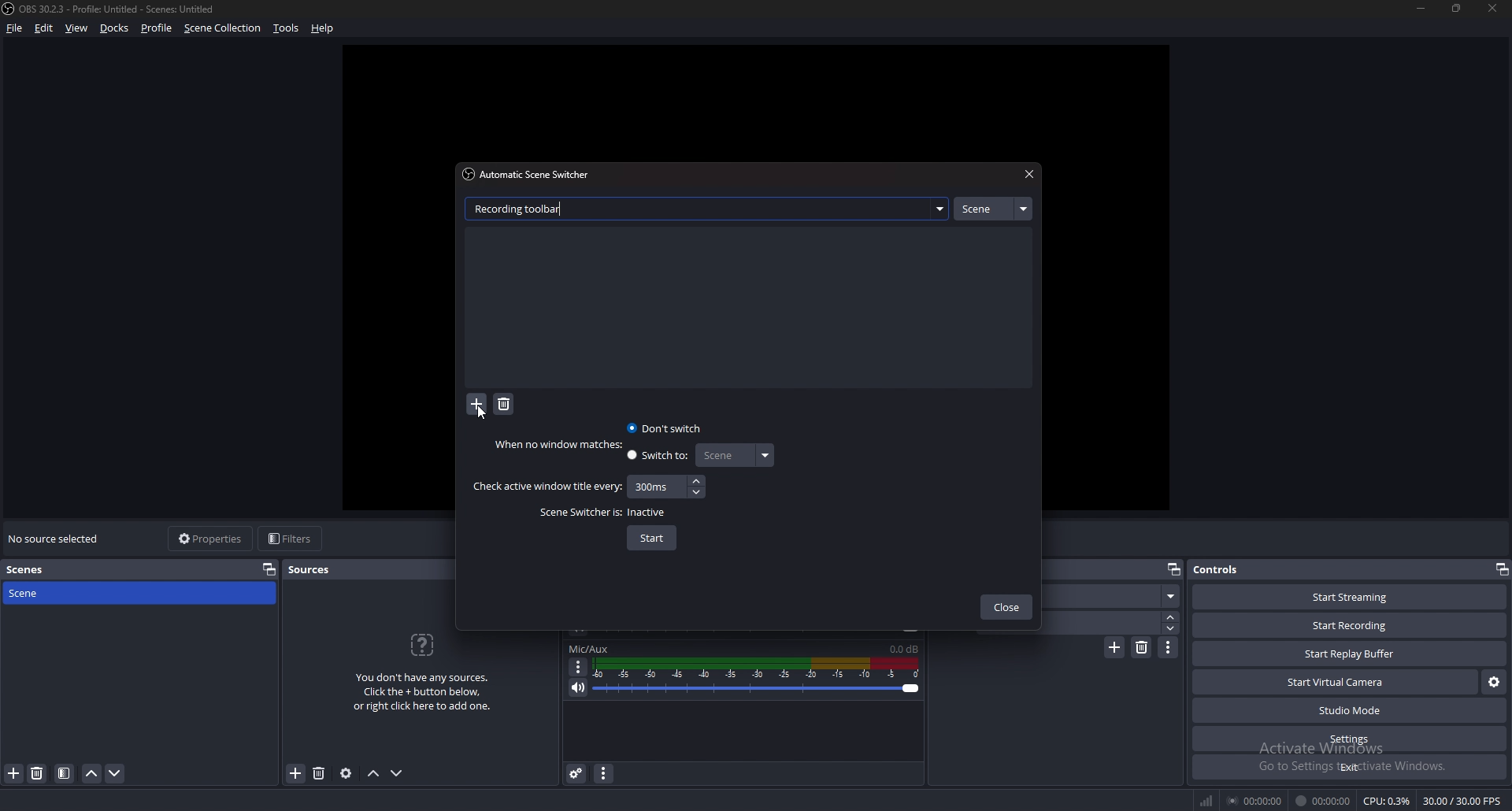 This screenshot has height=811, width=1512. I want to click on network, so click(1208, 800).